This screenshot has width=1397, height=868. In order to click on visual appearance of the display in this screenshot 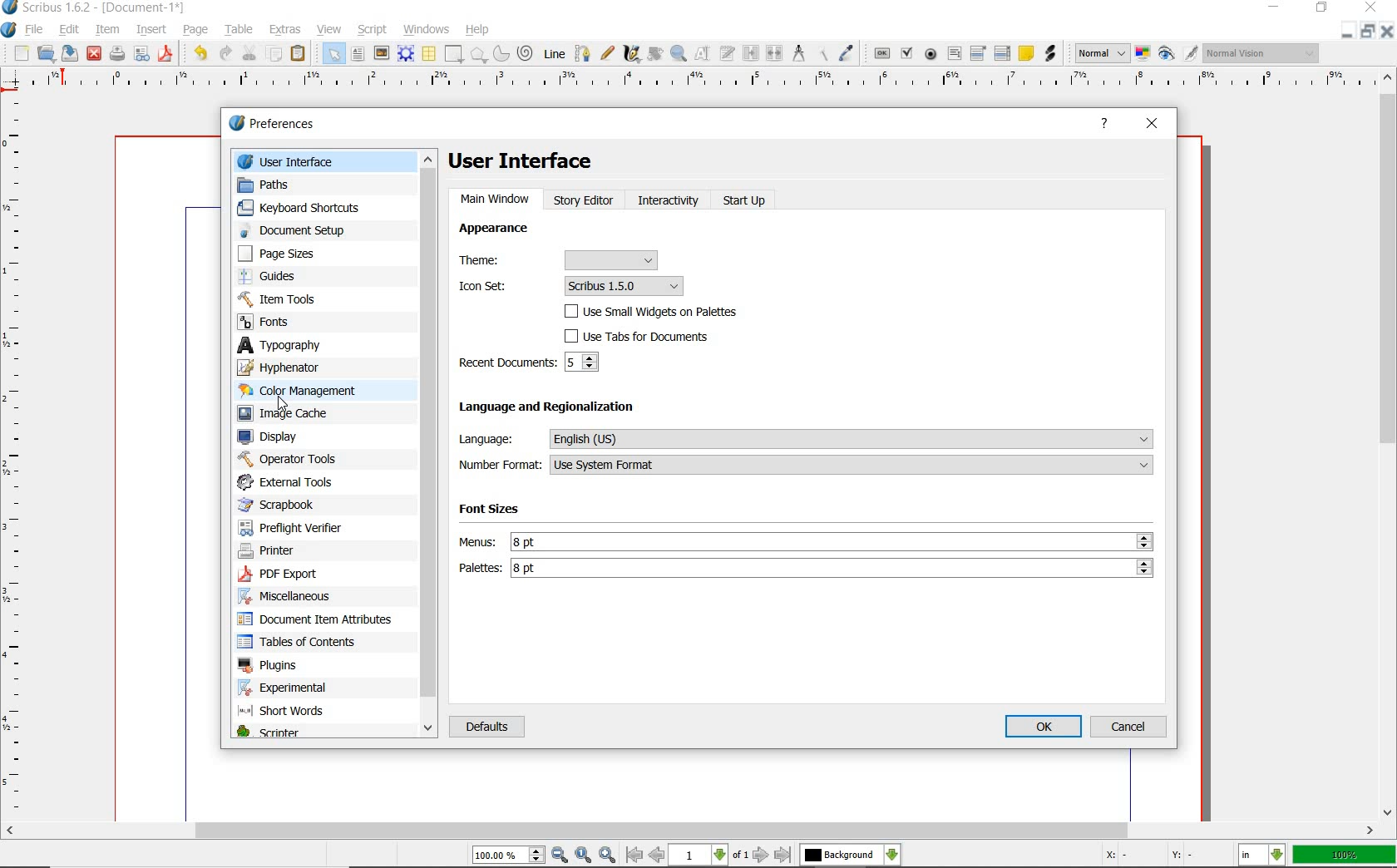, I will do `click(1261, 55)`.